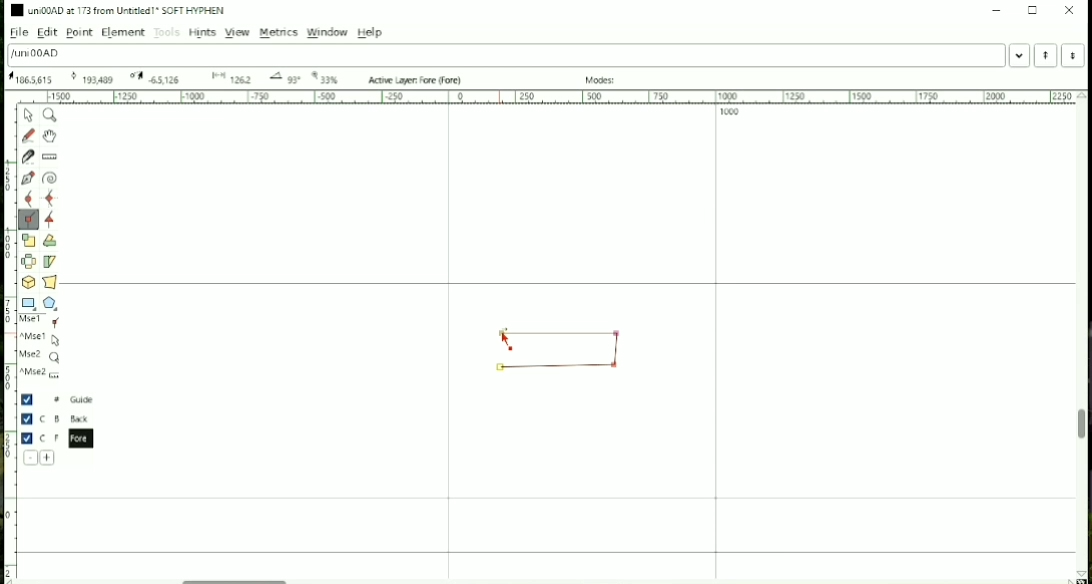  What do you see at coordinates (50, 221) in the screenshot?
I see `Add a tangent point` at bounding box center [50, 221].